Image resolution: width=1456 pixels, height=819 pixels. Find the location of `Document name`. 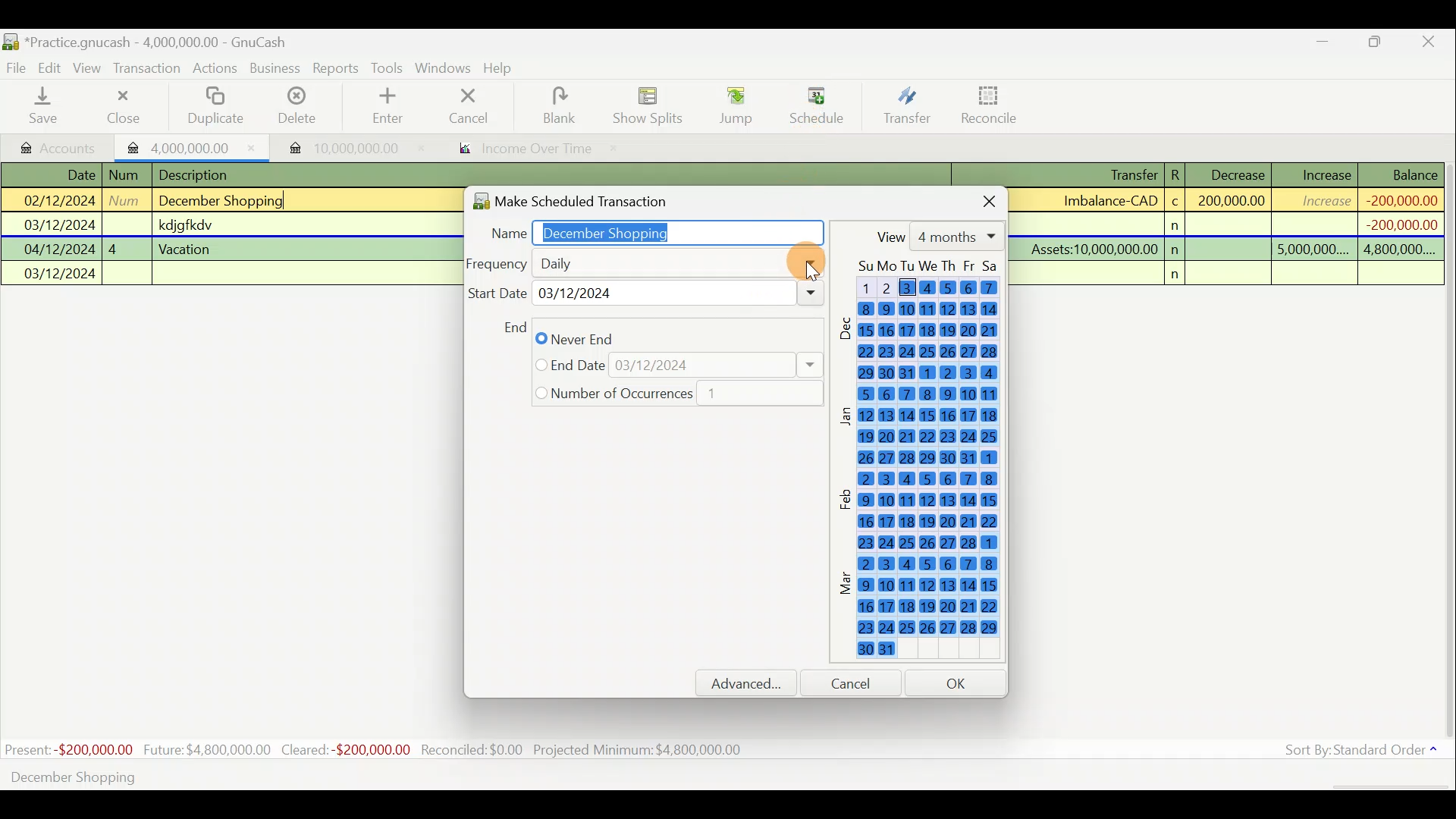

Document name is located at coordinates (163, 43).